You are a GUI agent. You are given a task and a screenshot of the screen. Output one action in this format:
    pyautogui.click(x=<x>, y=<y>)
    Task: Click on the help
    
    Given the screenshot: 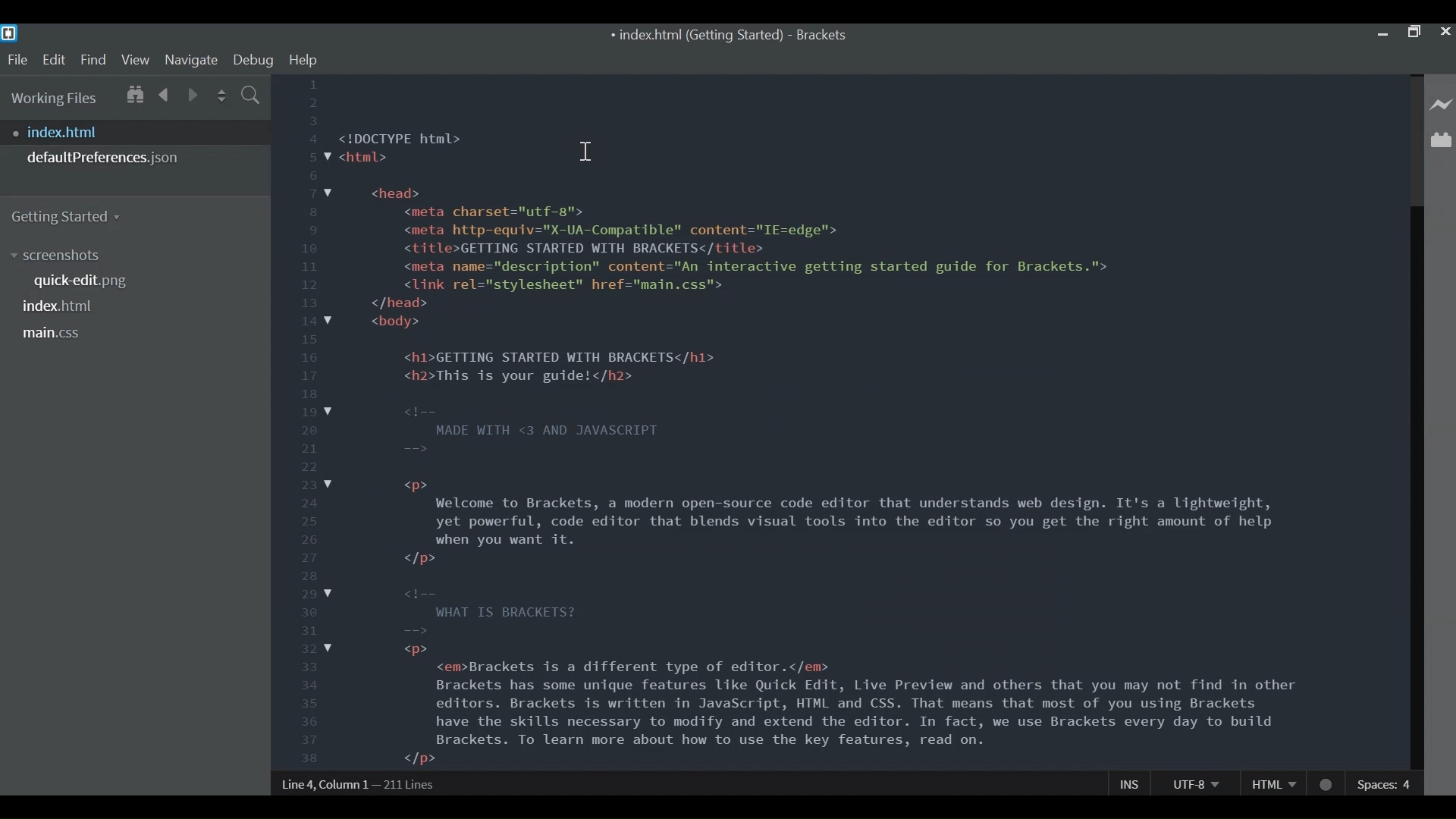 What is the action you would take?
    pyautogui.click(x=303, y=60)
    